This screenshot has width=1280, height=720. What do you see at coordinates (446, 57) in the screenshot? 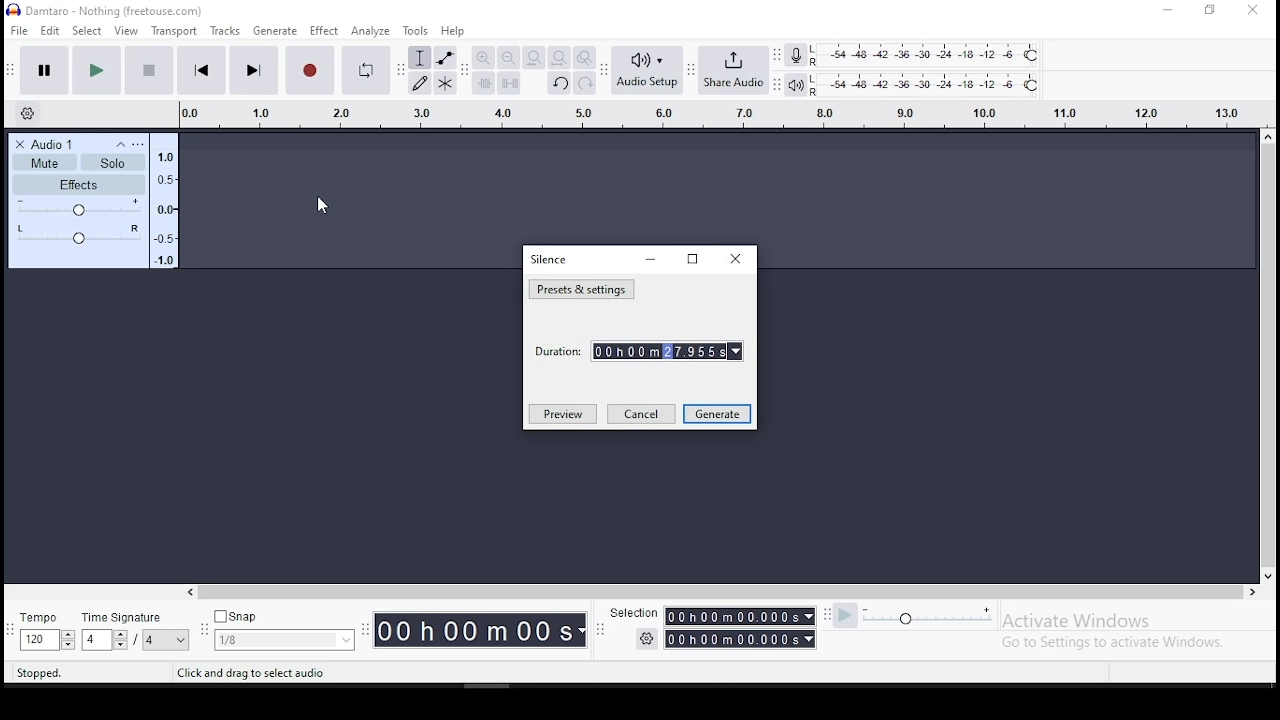
I see `envelope tool` at bounding box center [446, 57].